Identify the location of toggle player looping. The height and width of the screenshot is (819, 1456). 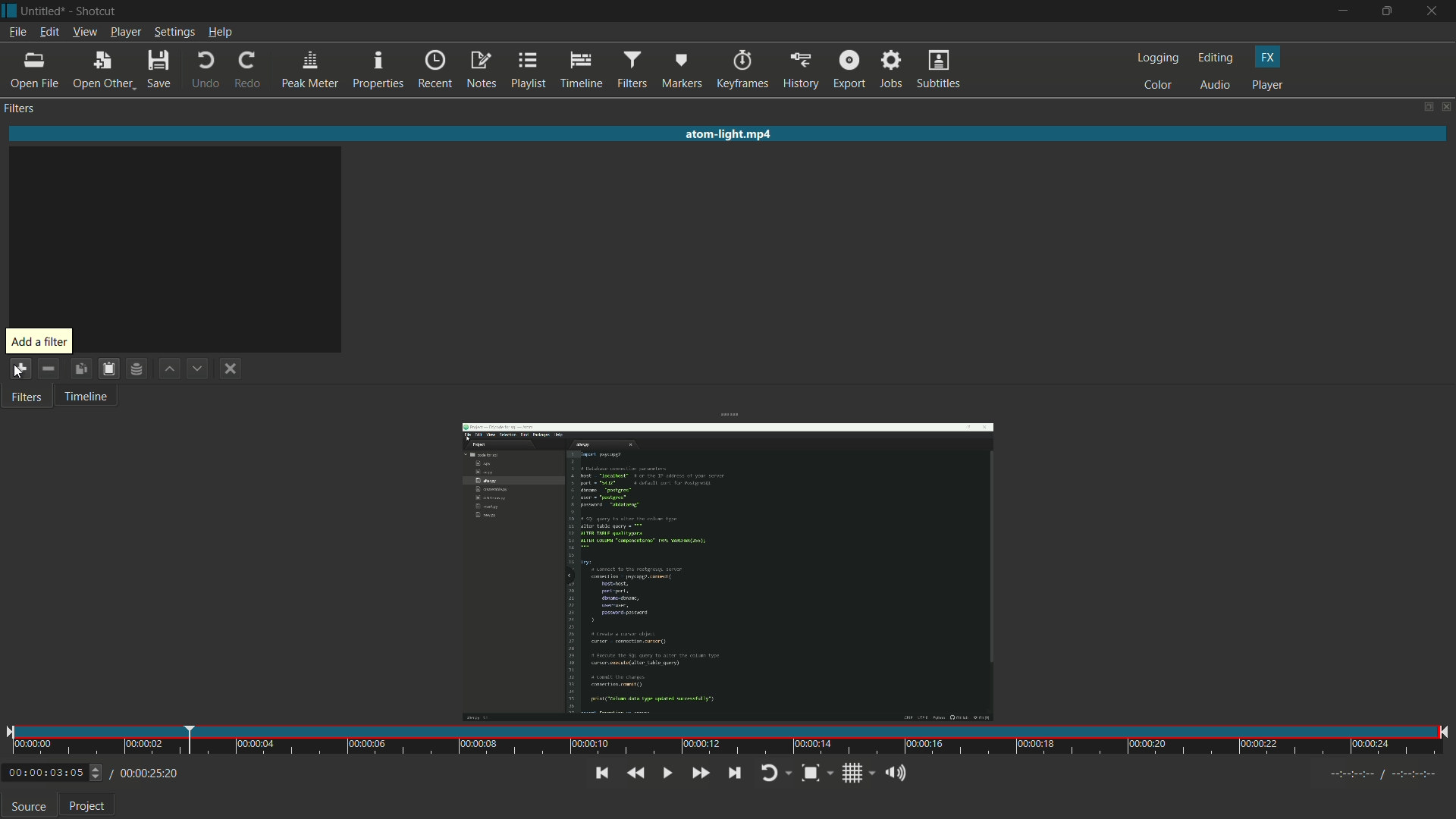
(770, 773).